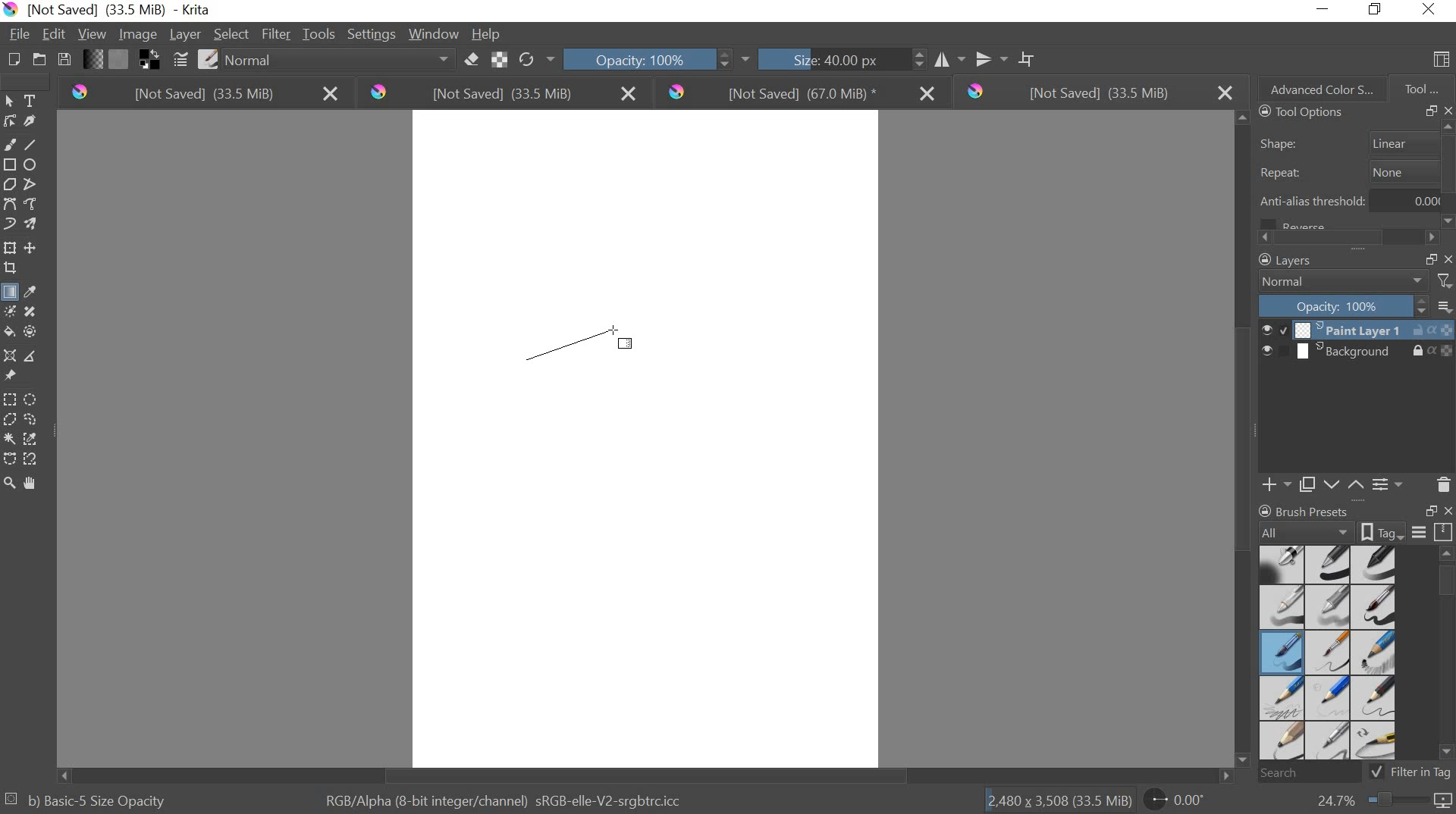 This screenshot has height=814, width=1456. What do you see at coordinates (36, 481) in the screenshot?
I see `pan` at bounding box center [36, 481].